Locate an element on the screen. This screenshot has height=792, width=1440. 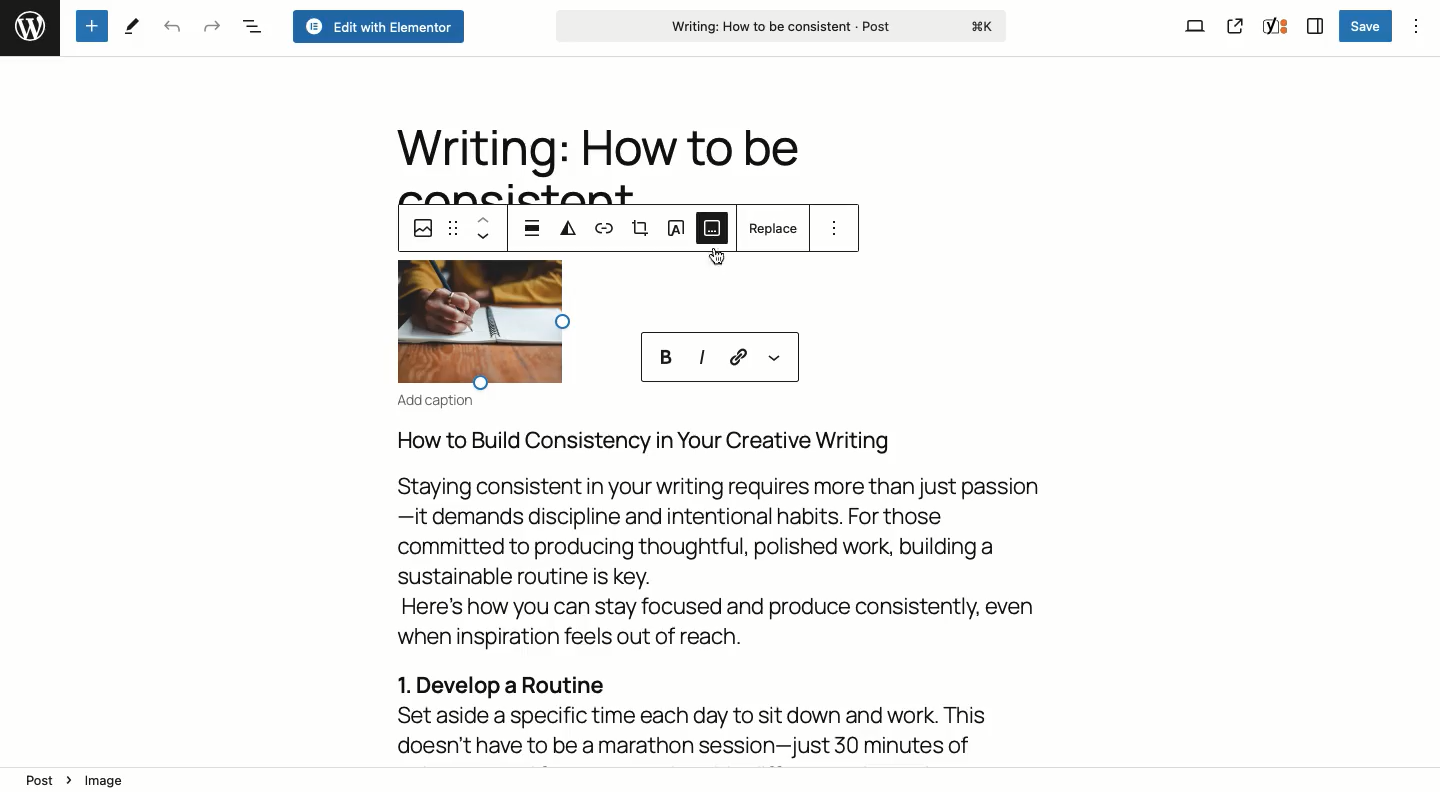
Add caption is located at coordinates (713, 233).